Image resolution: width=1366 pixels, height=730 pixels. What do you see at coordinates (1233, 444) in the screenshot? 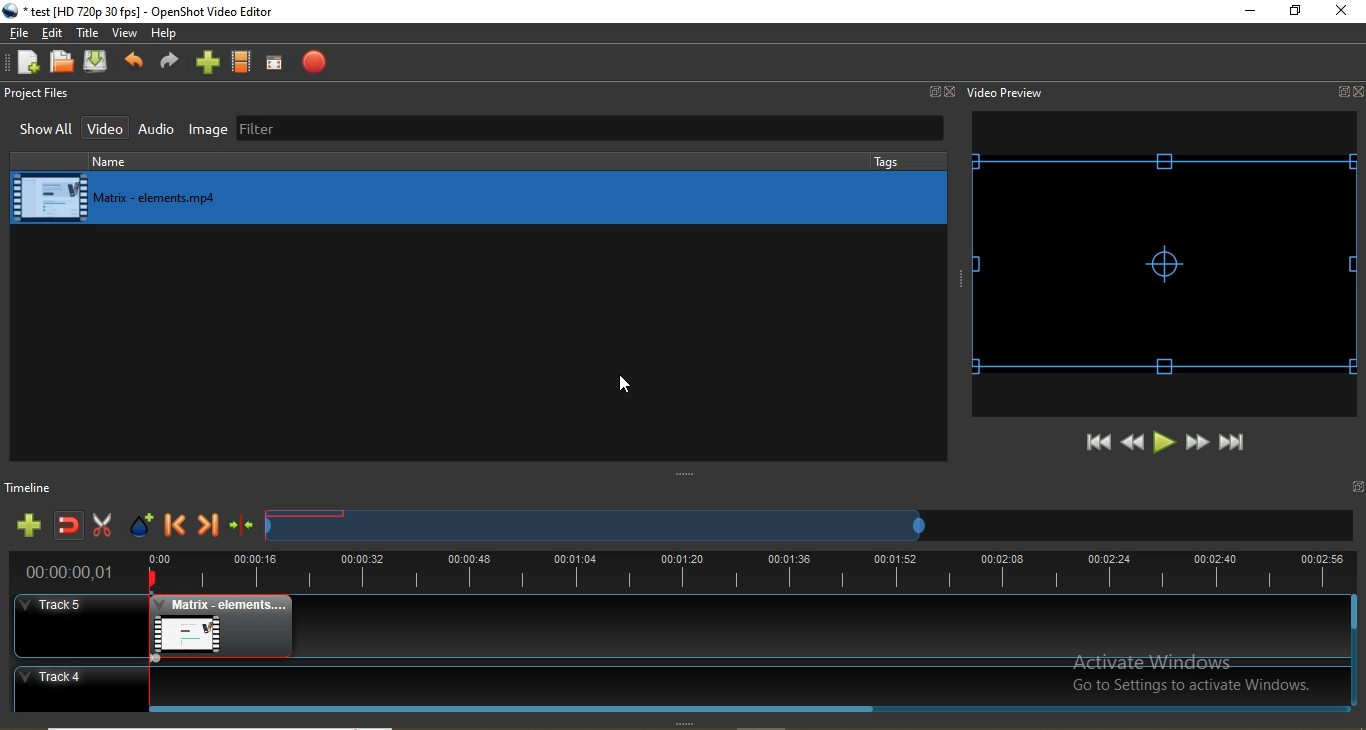
I see `Jump to end` at bounding box center [1233, 444].